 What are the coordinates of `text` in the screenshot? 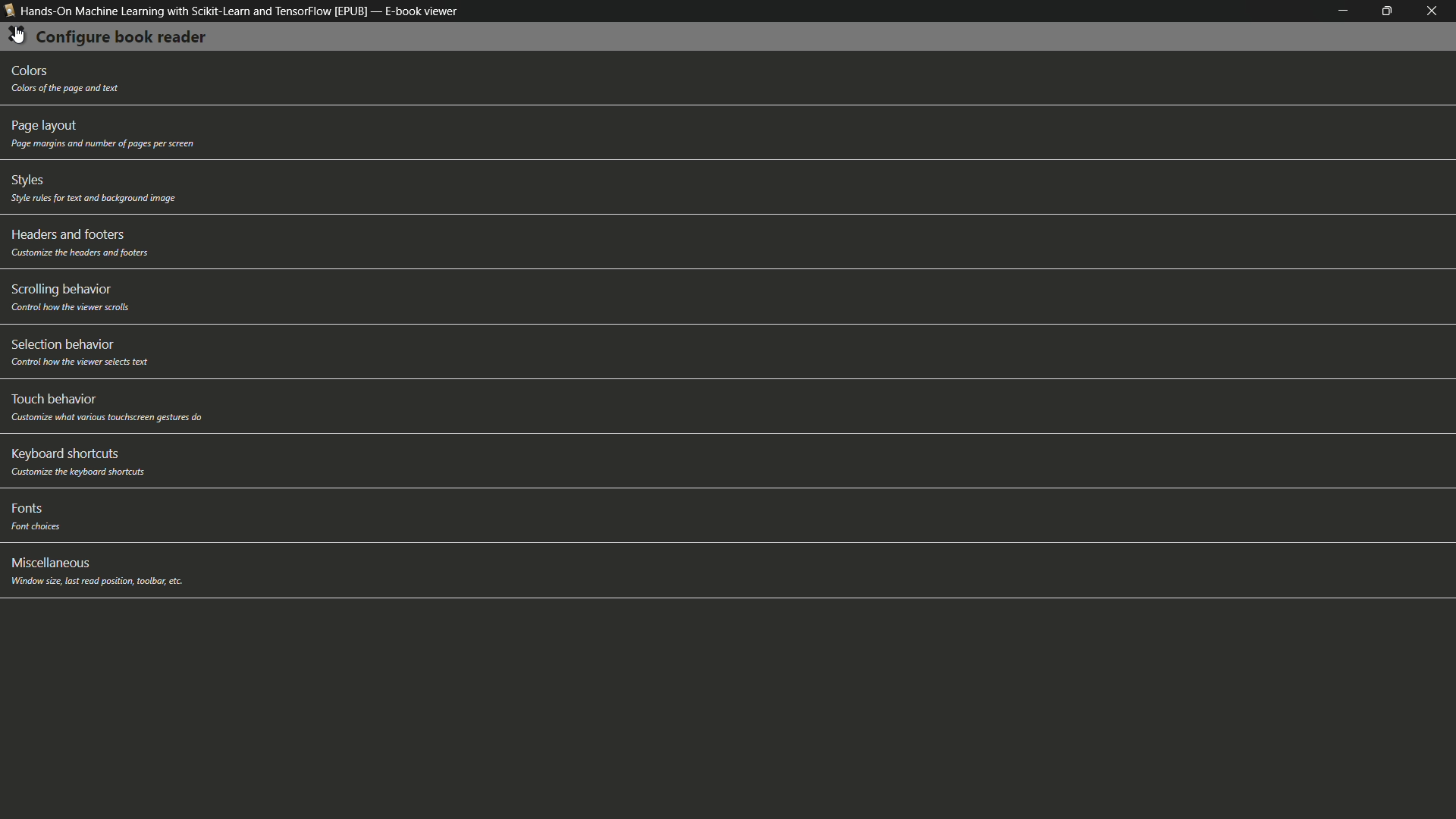 It's located at (96, 582).